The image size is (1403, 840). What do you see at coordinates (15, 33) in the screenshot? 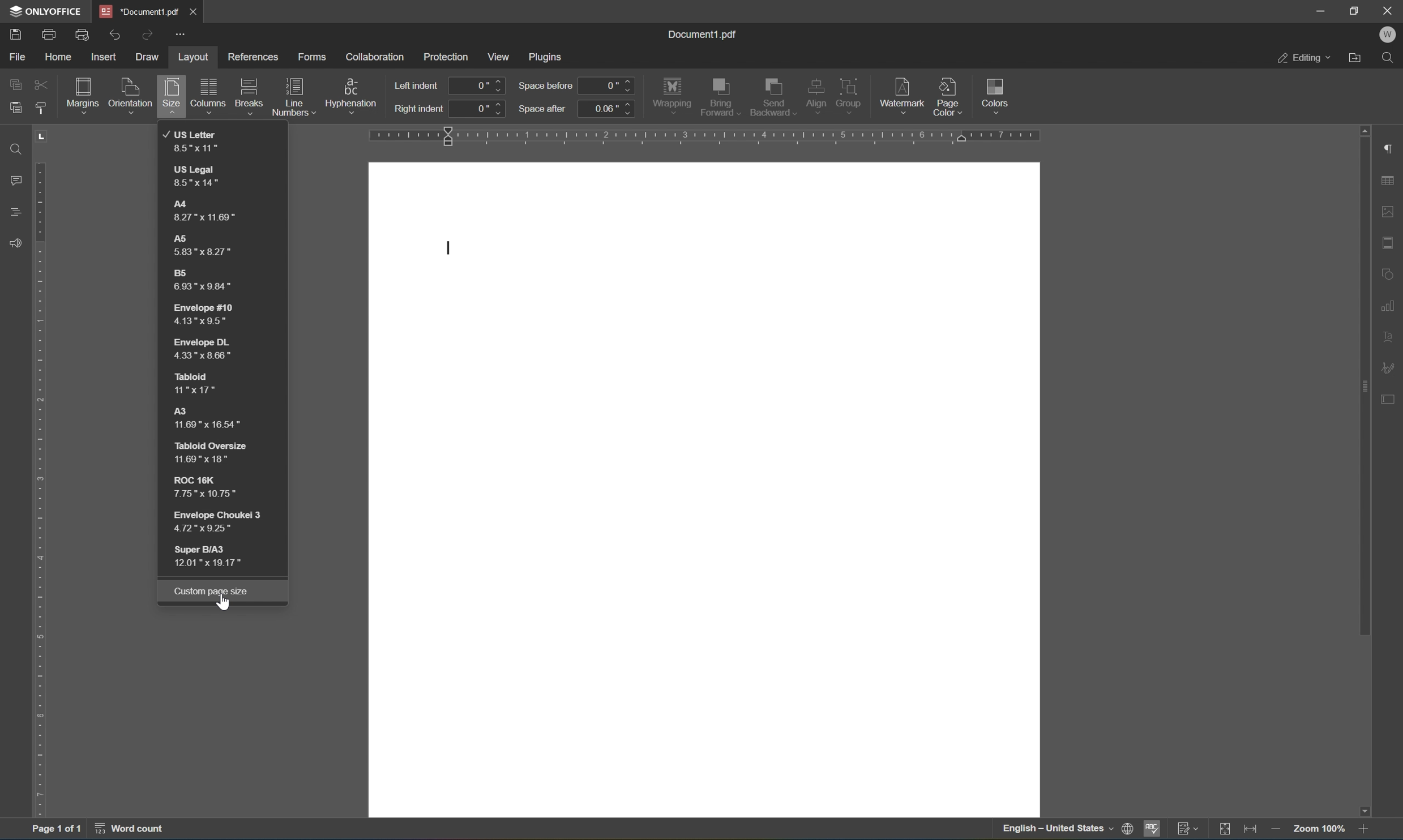
I see `save` at bounding box center [15, 33].